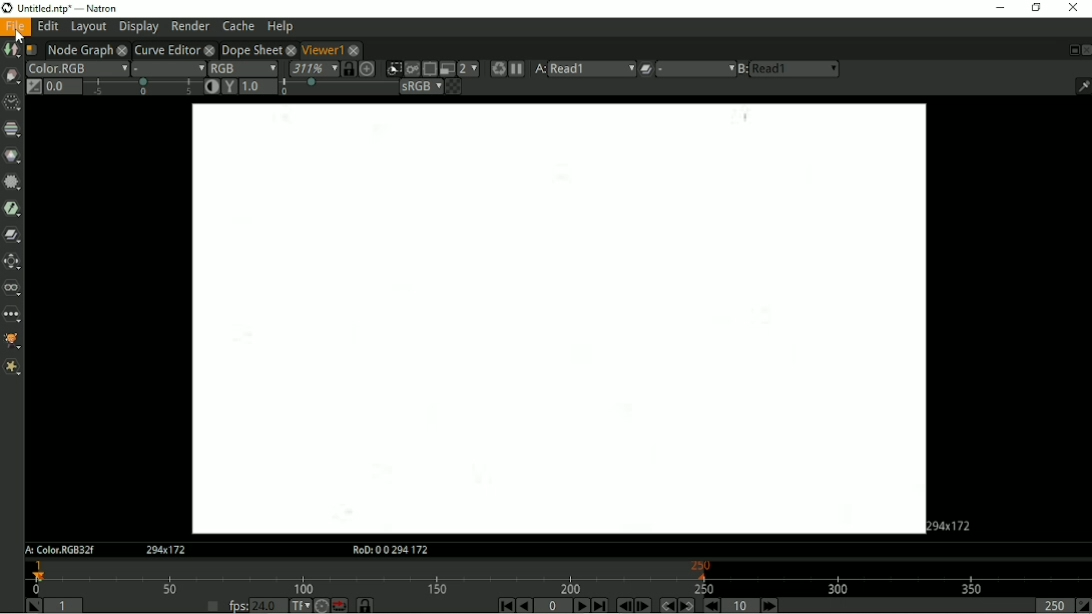 The height and width of the screenshot is (614, 1092). Describe the element at coordinates (667, 605) in the screenshot. I see `Previous keyframe` at that location.